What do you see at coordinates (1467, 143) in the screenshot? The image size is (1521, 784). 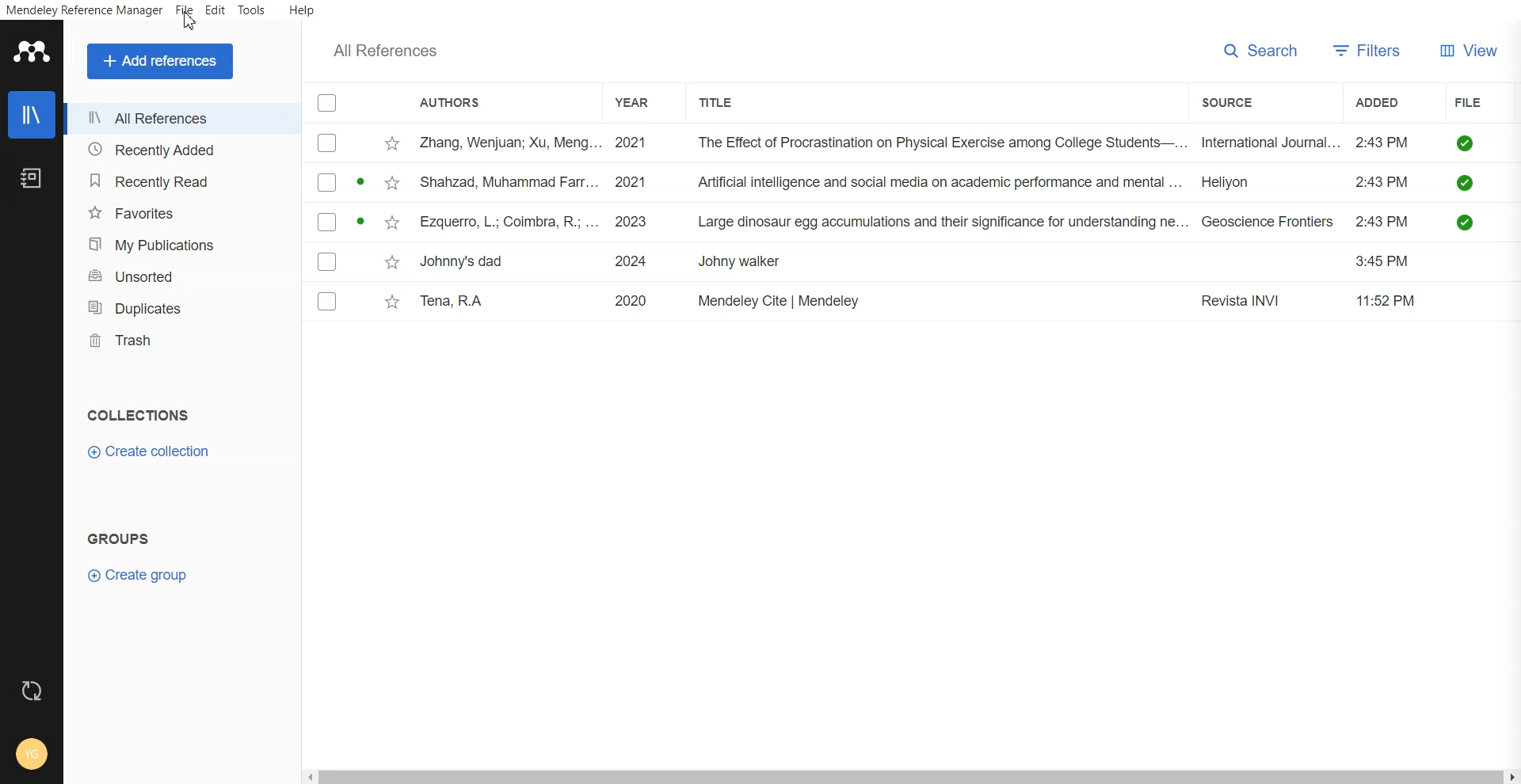 I see `saved` at bounding box center [1467, 143].